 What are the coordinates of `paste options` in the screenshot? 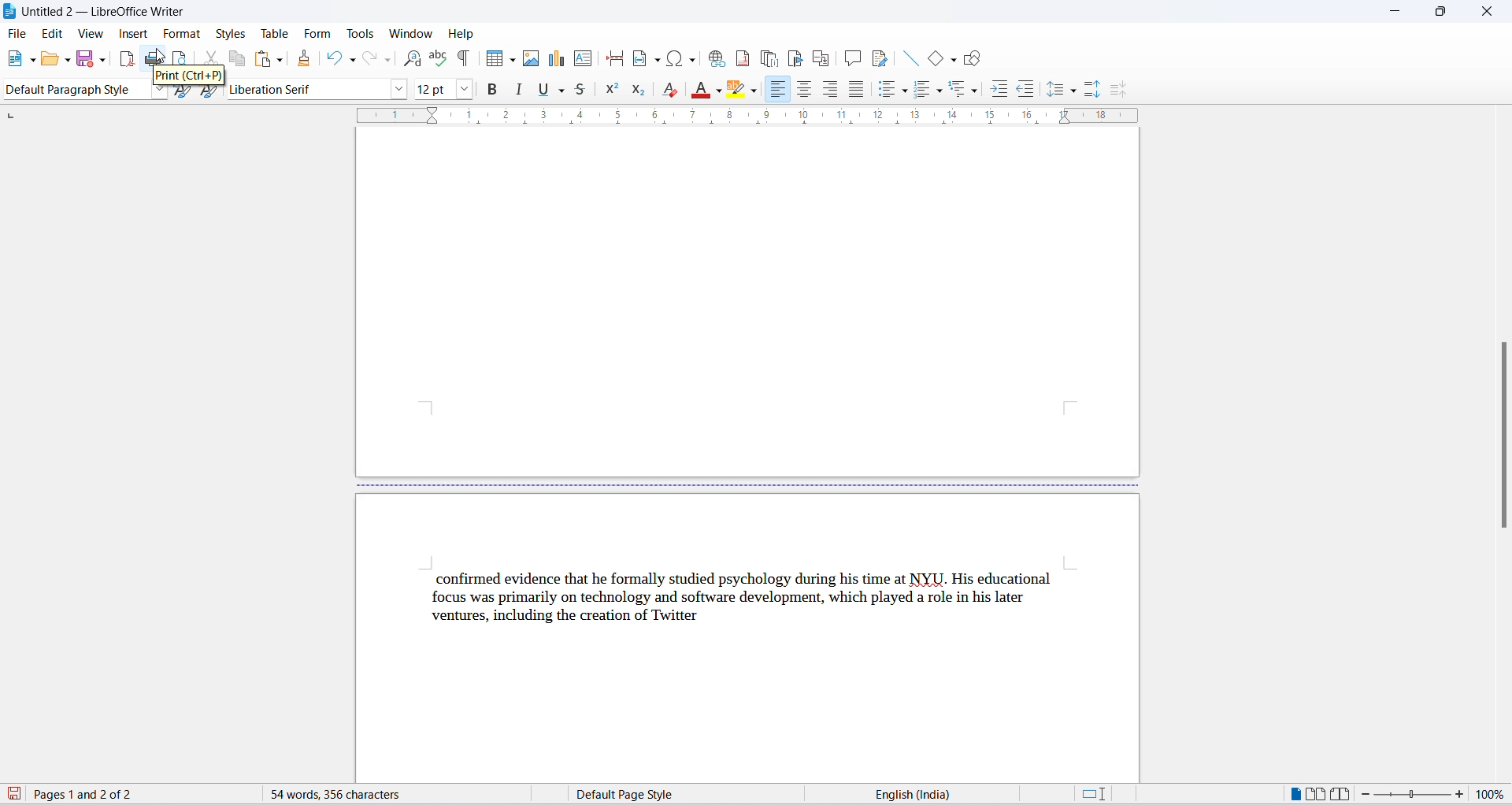 It's located at (279, 61).